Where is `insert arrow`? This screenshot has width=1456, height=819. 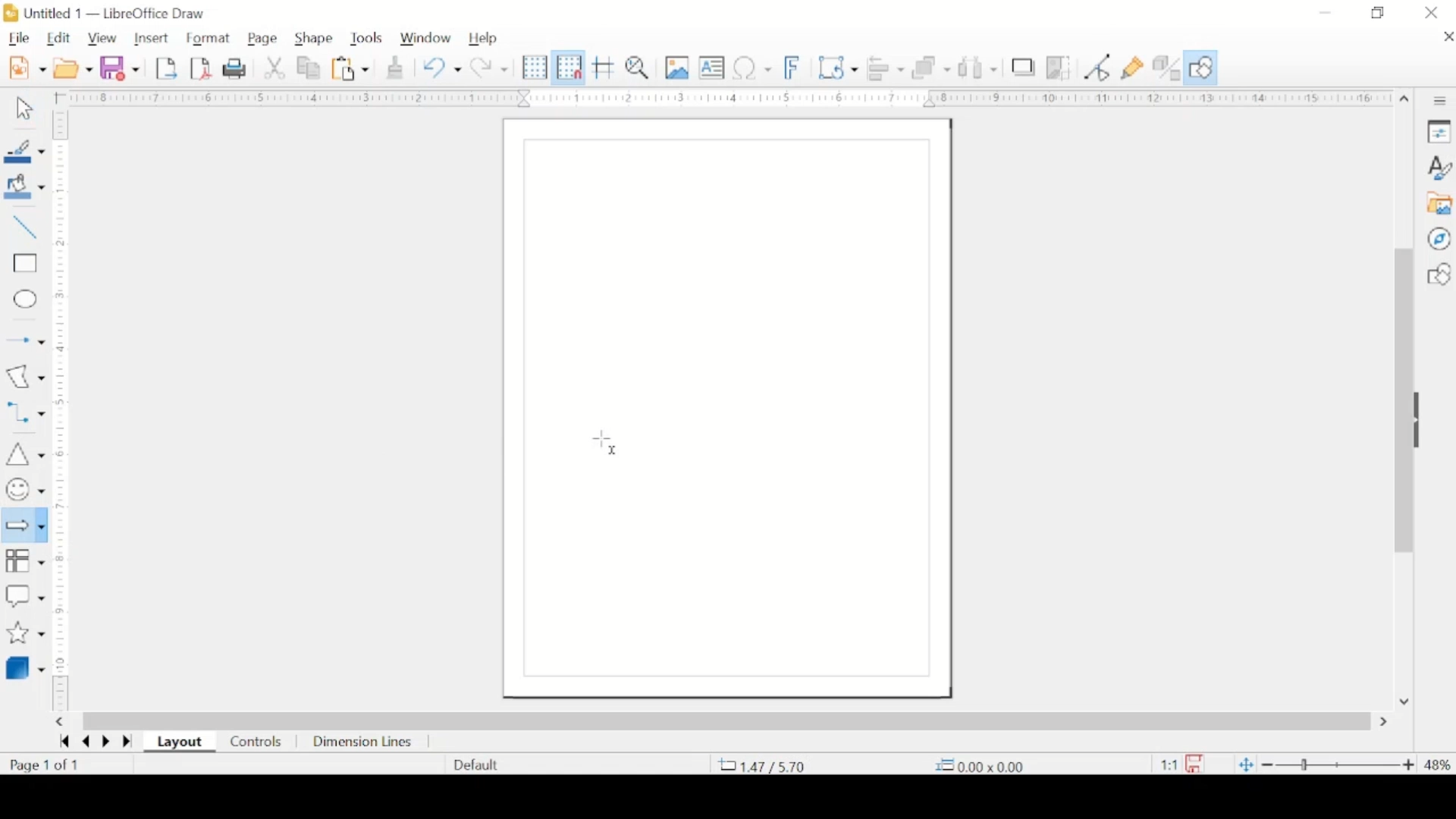
insert arrow is located at coordinates (24, 340).